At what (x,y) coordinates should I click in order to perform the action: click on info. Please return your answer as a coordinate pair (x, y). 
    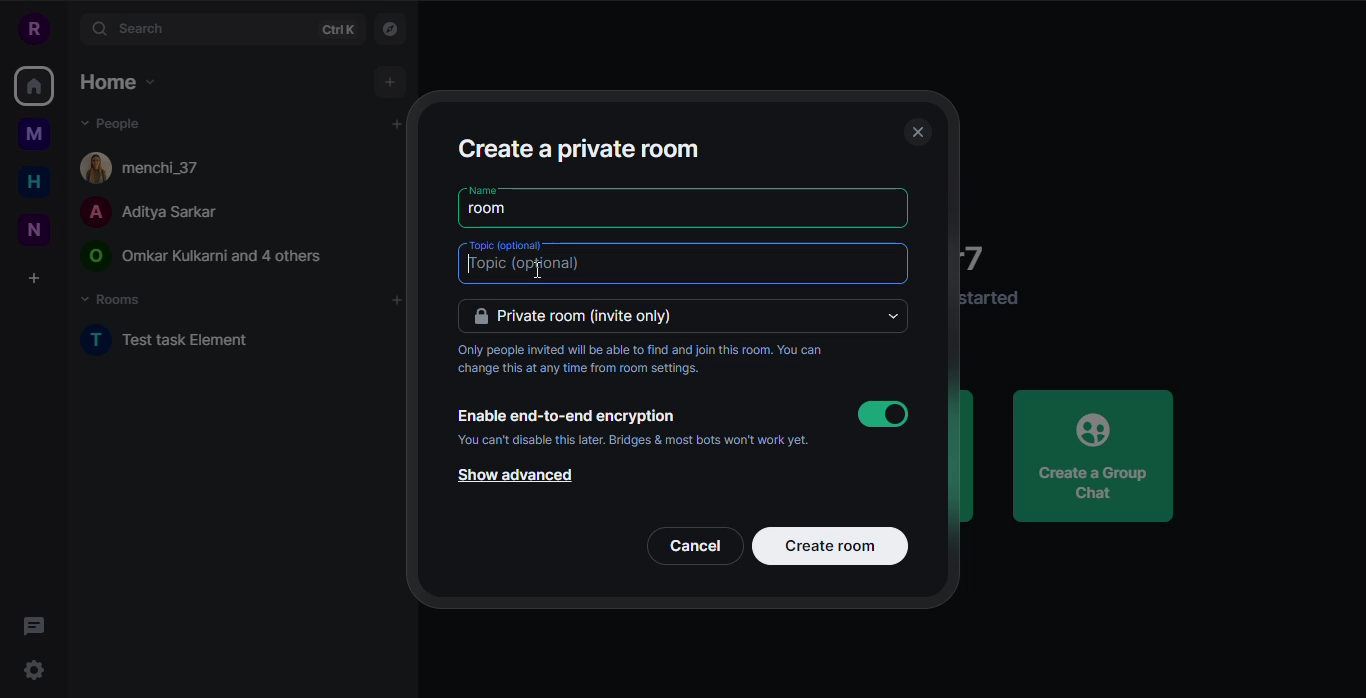
    Looking at the image, I should click on (633, 440).